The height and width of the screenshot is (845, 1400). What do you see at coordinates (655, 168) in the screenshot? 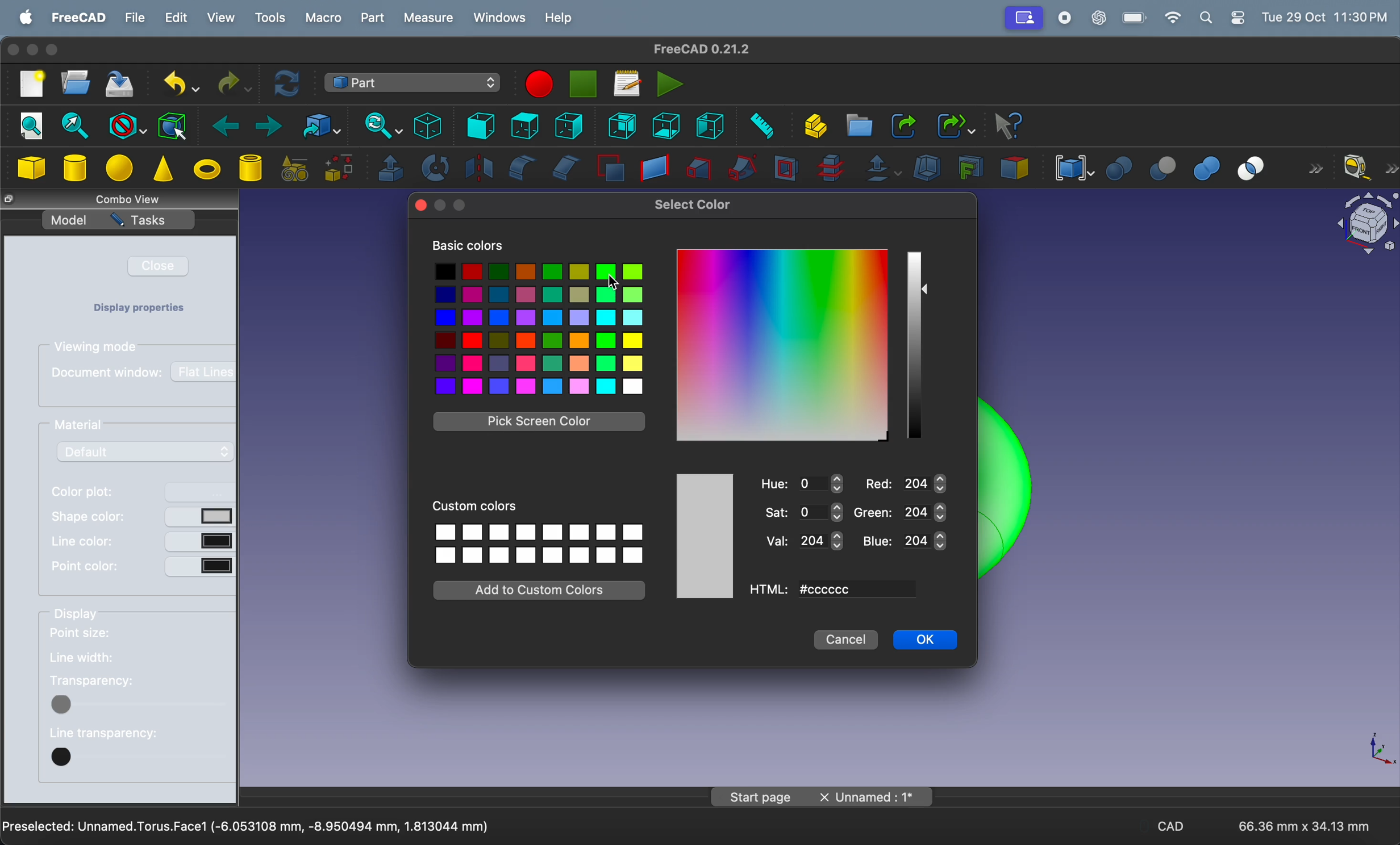
I see `create ruled surface` at bounding box center [655, 168].